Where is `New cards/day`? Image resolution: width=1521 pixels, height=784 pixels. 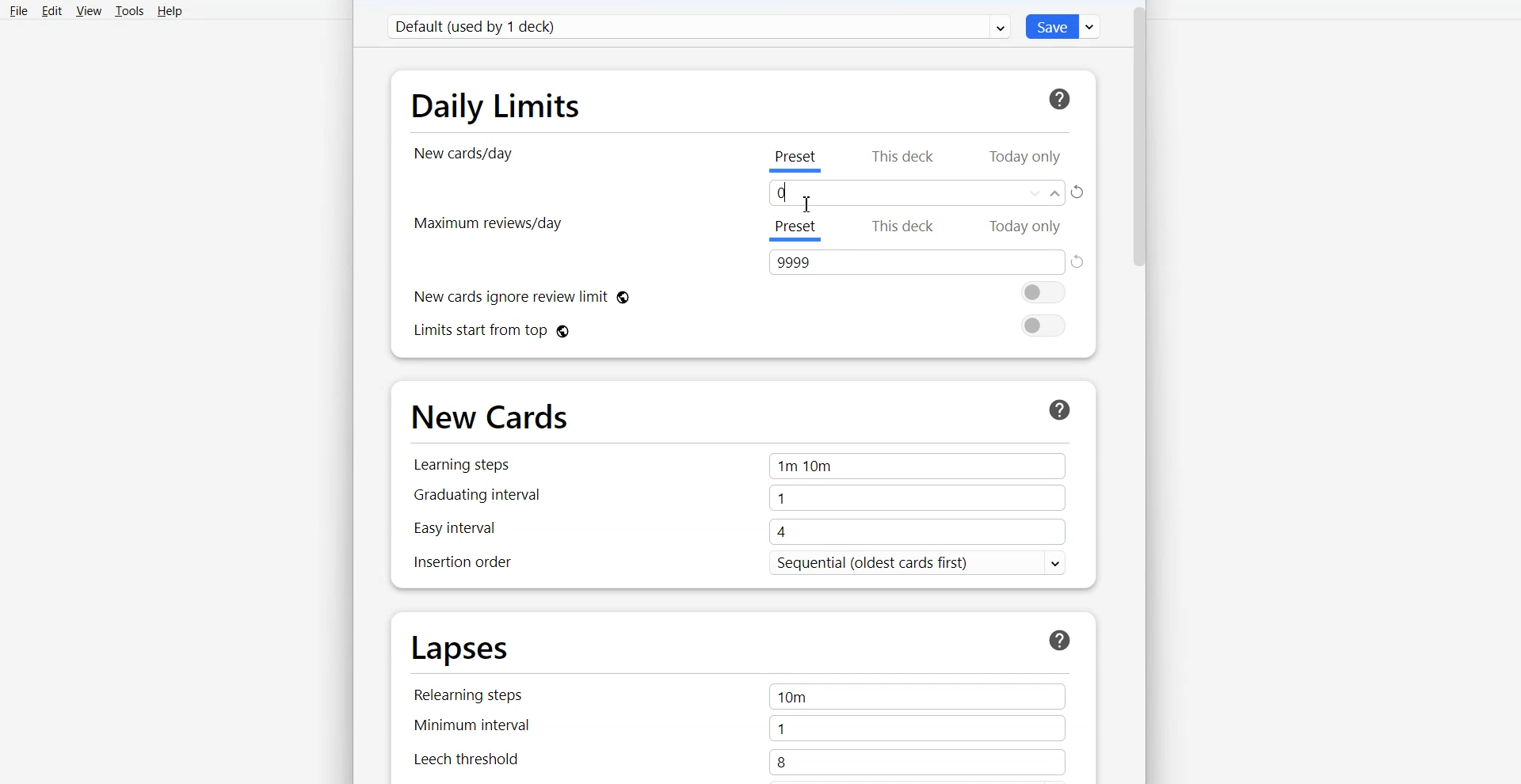 New cards/day is located at coordinates (465, 154).